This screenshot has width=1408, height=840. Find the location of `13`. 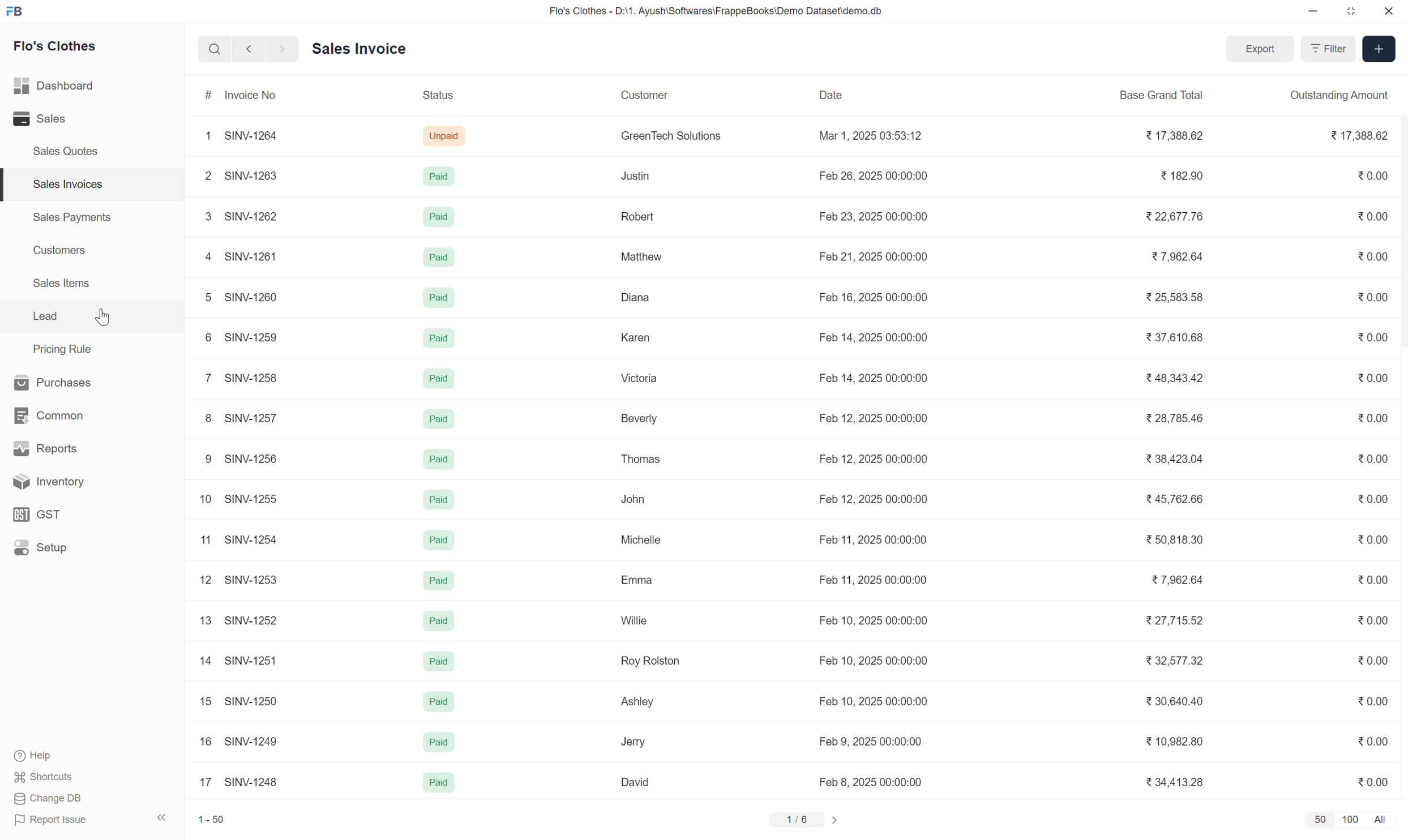

13 is located at coordinates (200, 620).